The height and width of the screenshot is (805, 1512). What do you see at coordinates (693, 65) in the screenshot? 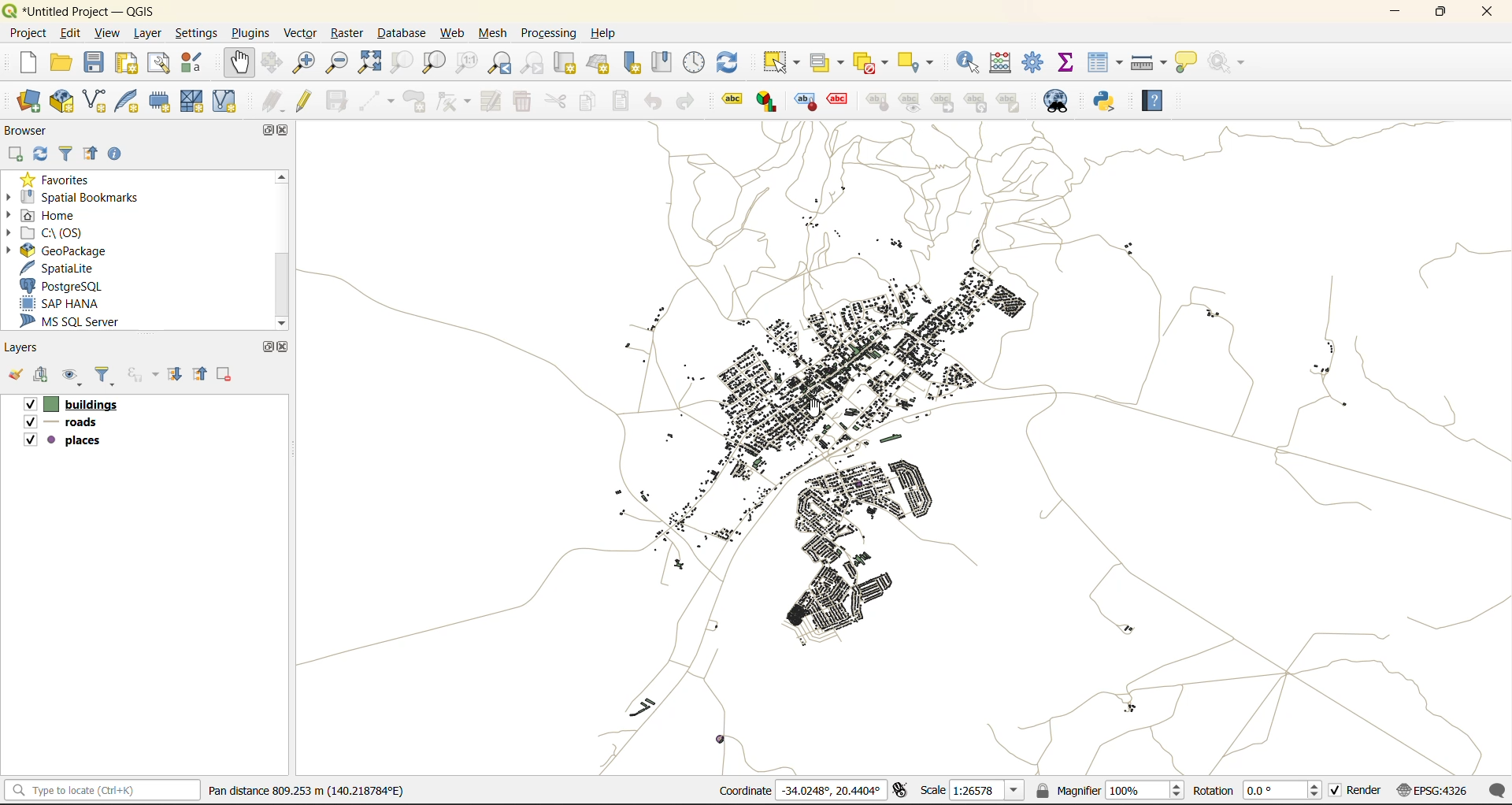
I see `control panel` at bounding box center [693, 65].